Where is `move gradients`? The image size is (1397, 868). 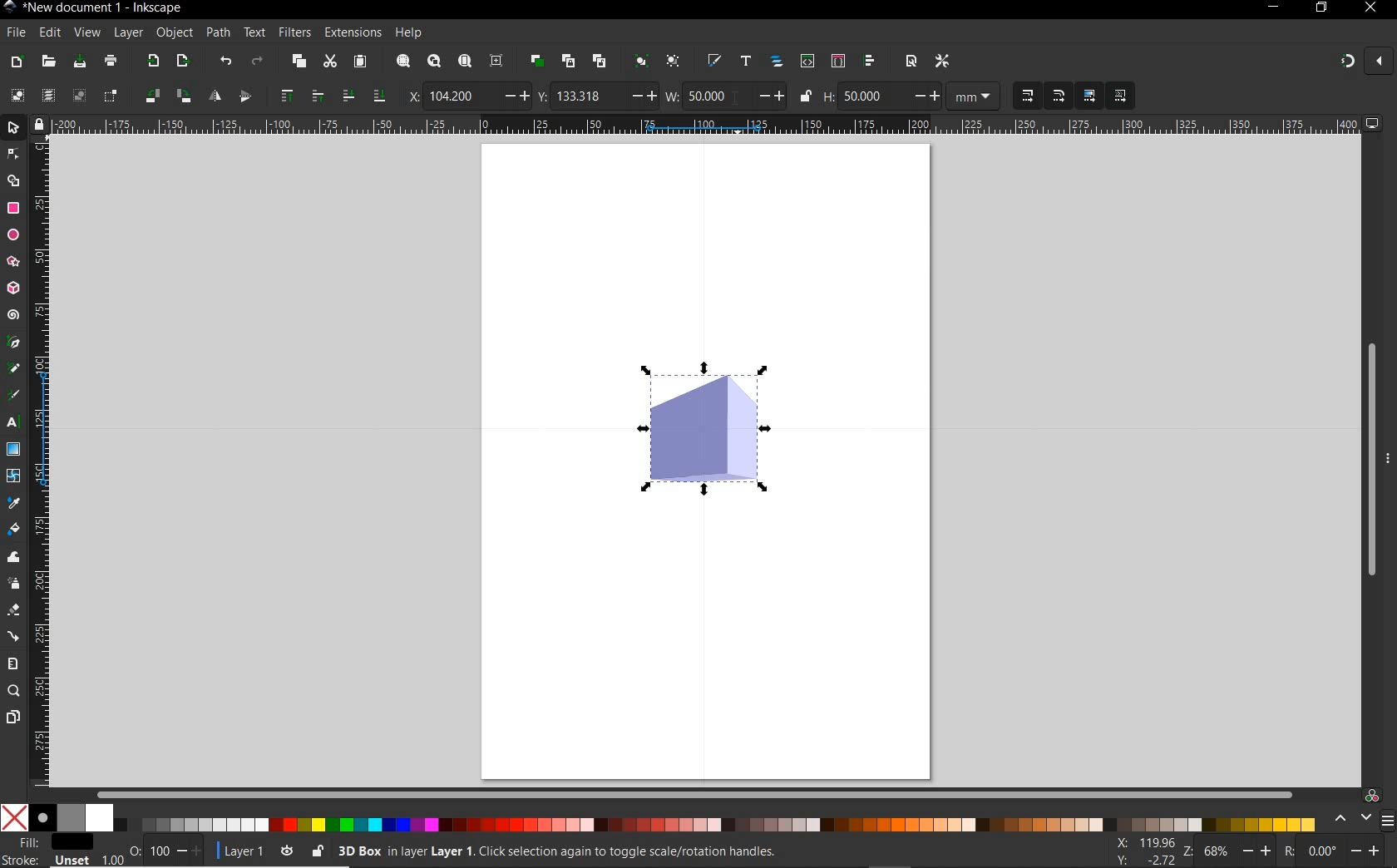
move gradients is located at coordinates (1090, 96).